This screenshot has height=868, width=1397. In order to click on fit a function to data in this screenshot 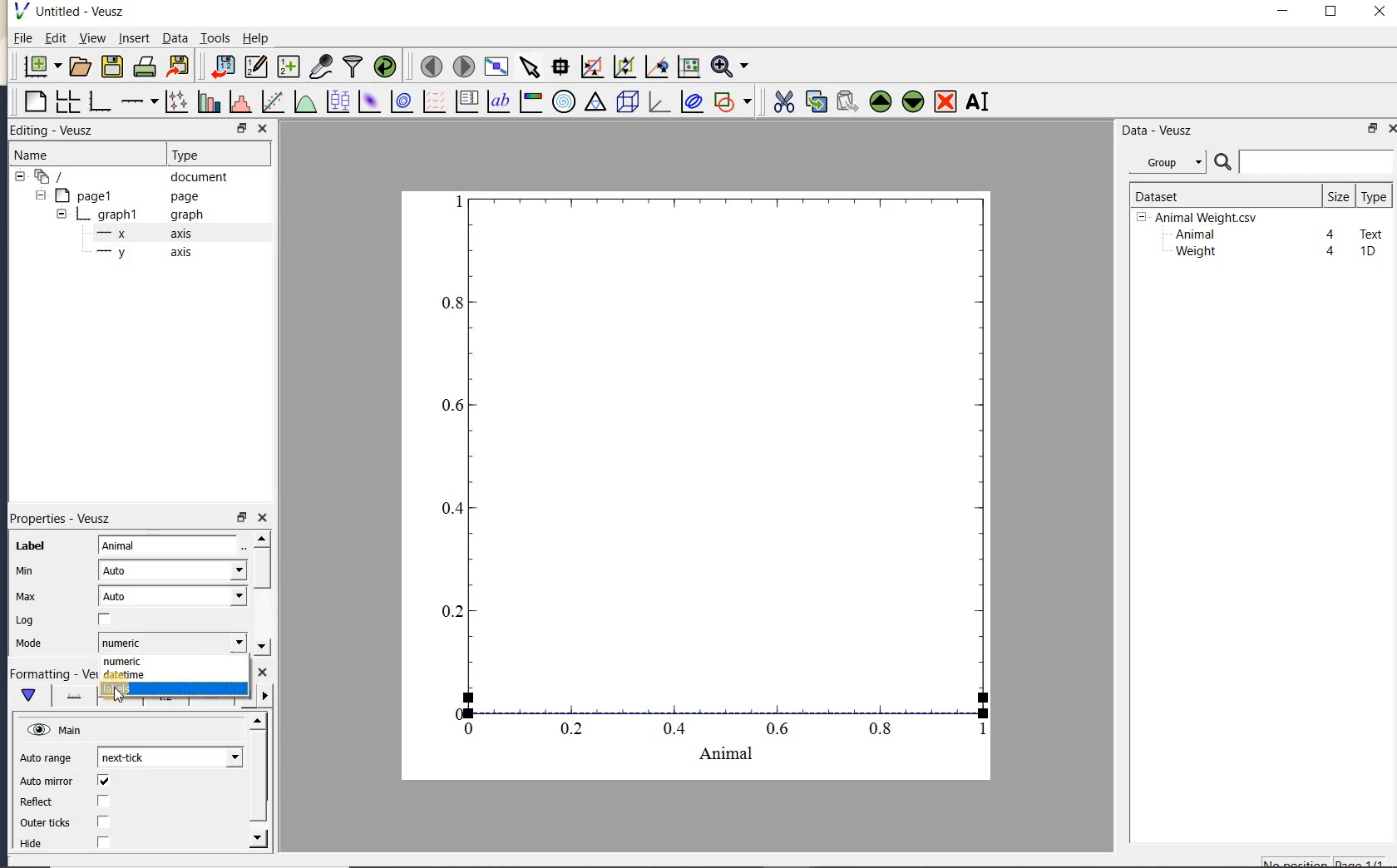, I will do `click(272, 101)`.